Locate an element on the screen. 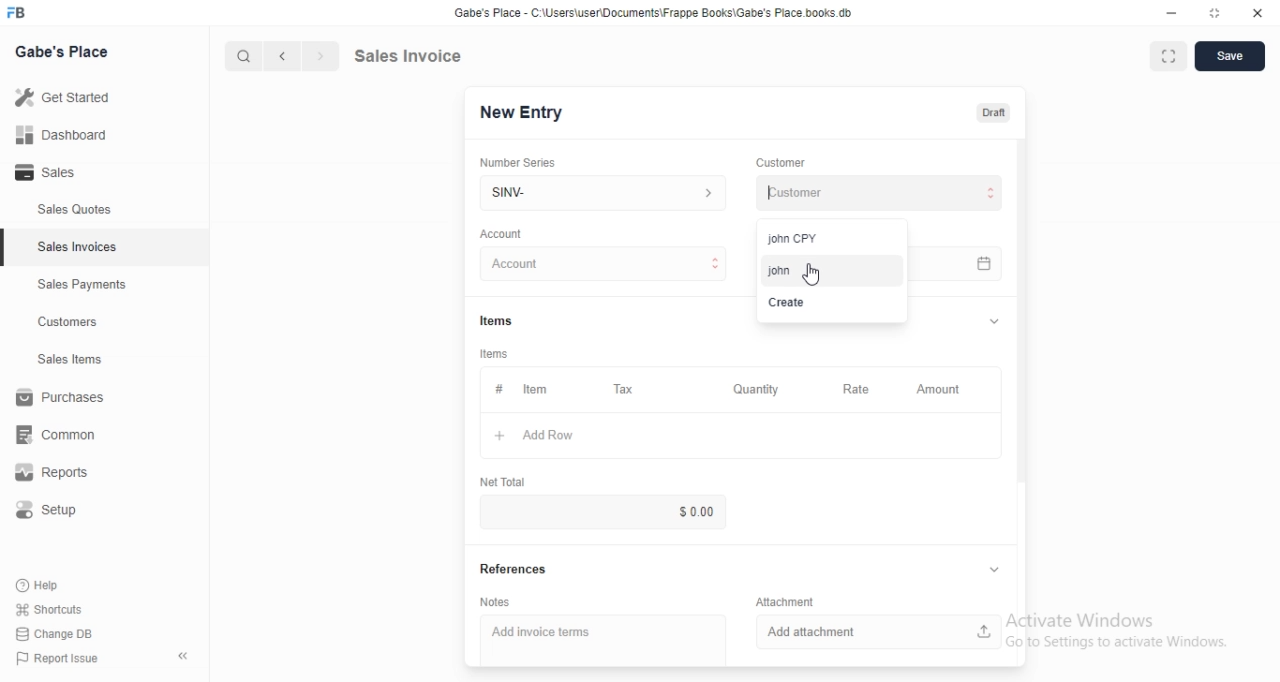 The width and height of the screenshot is (1280, 682). Create is located at coordinates (811, 304).